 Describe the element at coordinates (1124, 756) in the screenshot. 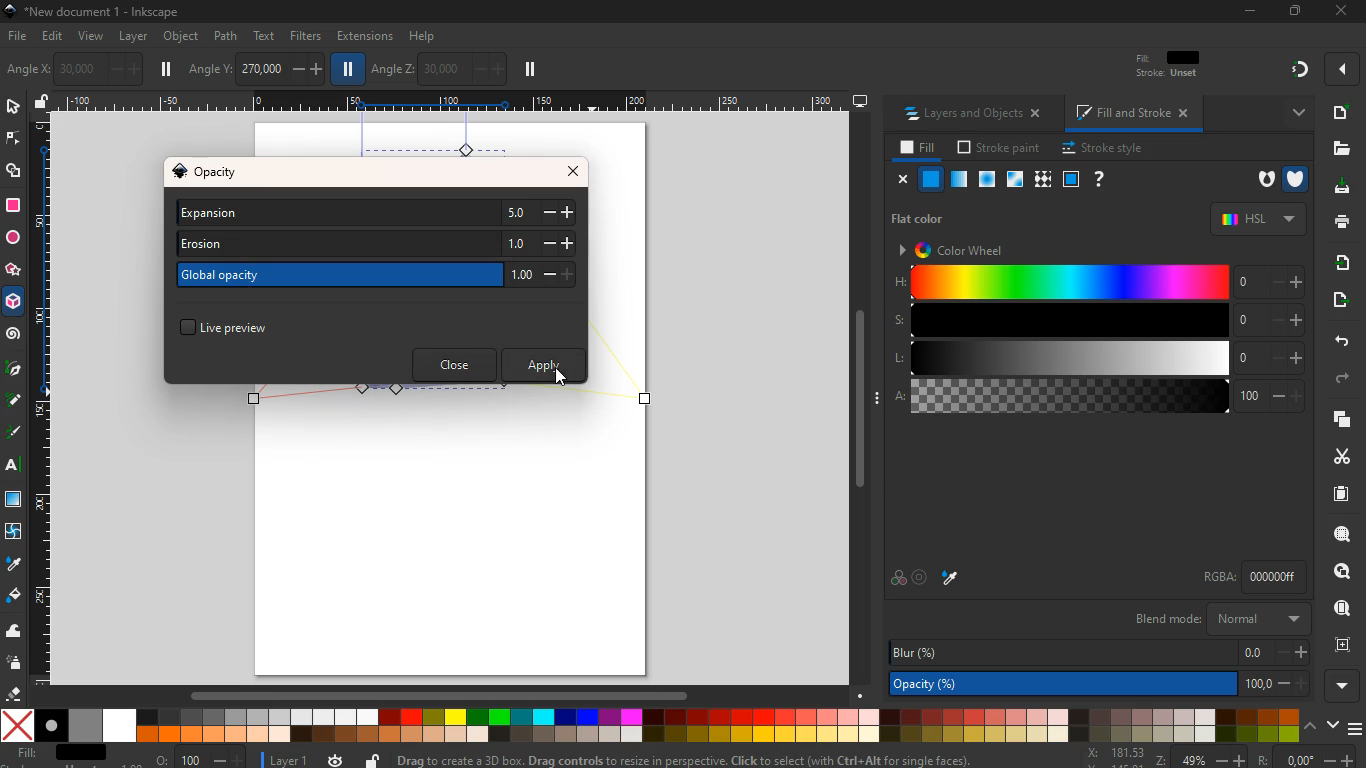

I see `zoom` at that location.